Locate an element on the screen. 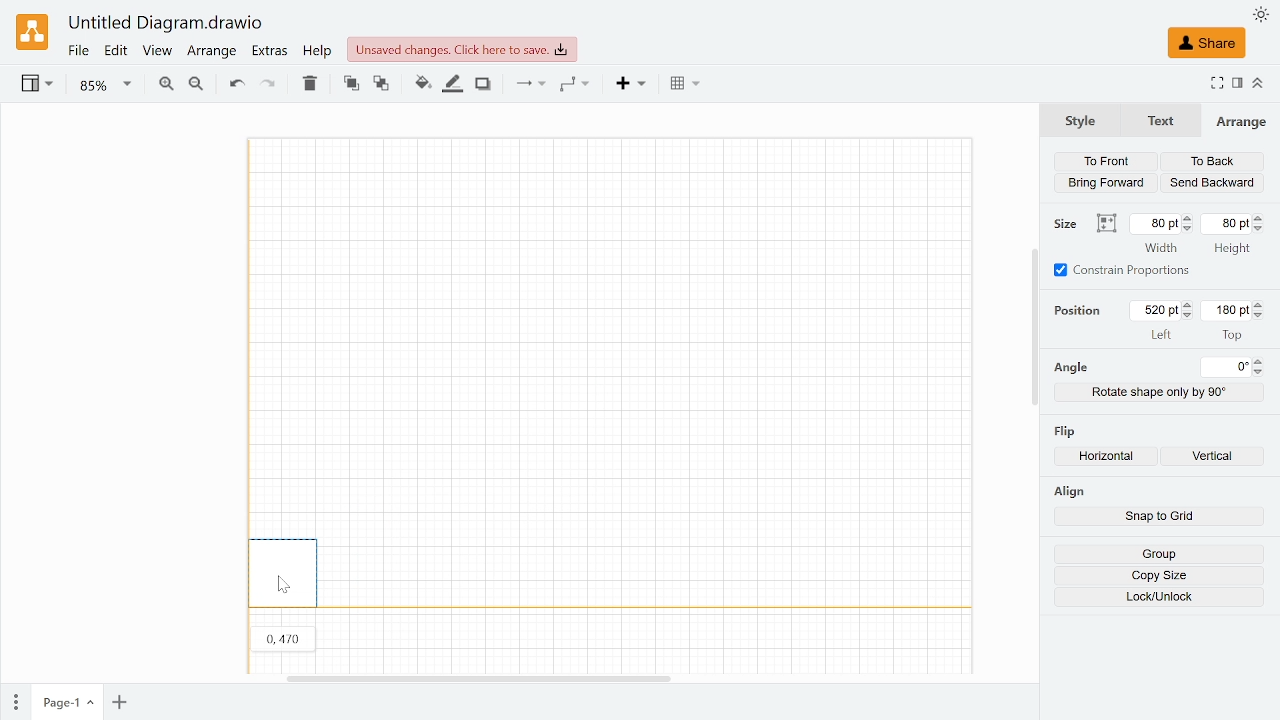 The width and height of the screenshot is (1280, 720). Increase width is located at coordinates (1189, 218).